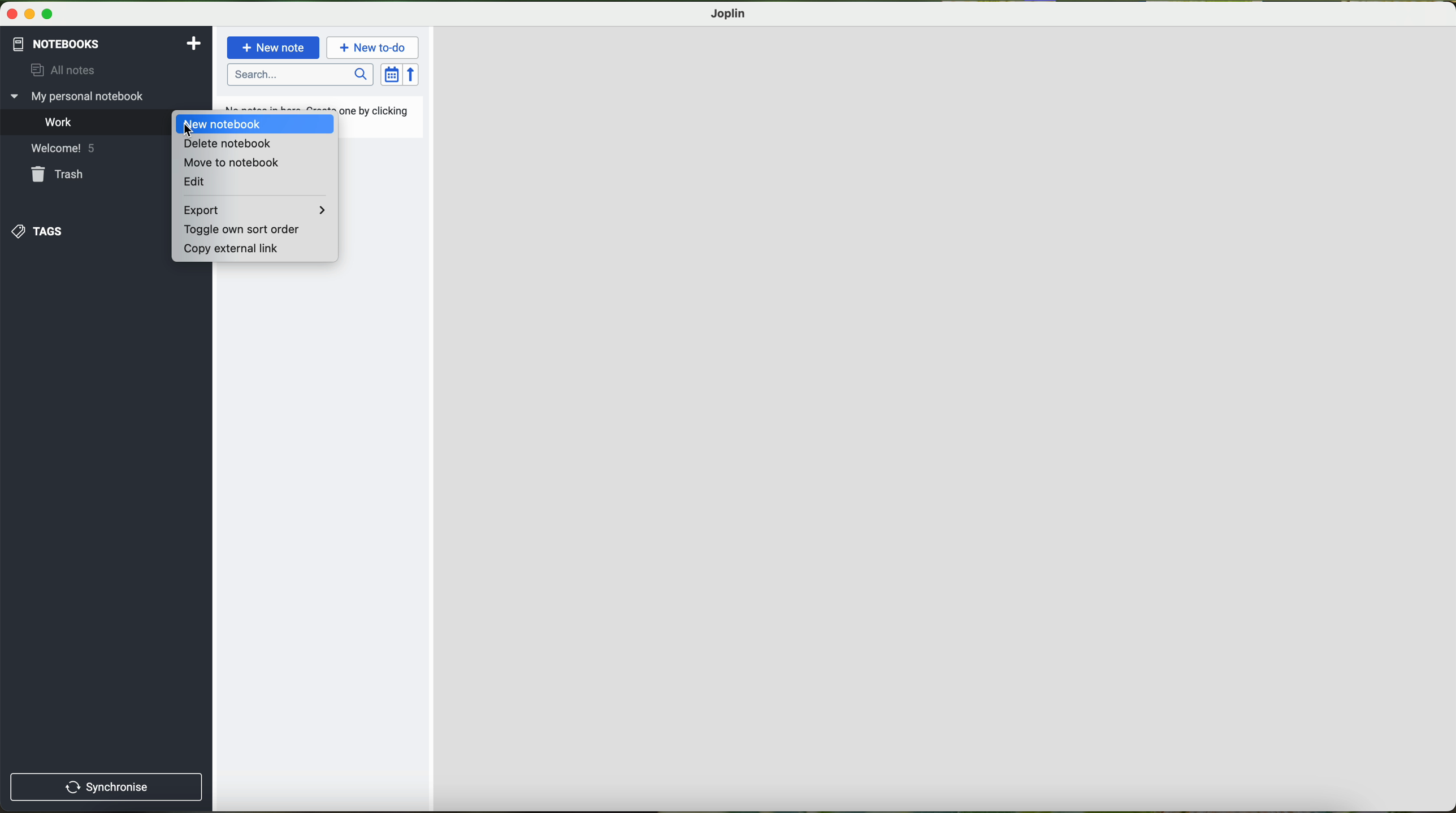 The image size is (1456, 813). Describe the element at coordinates (301, 75) in the screenshot. I see `search bar` at that location.